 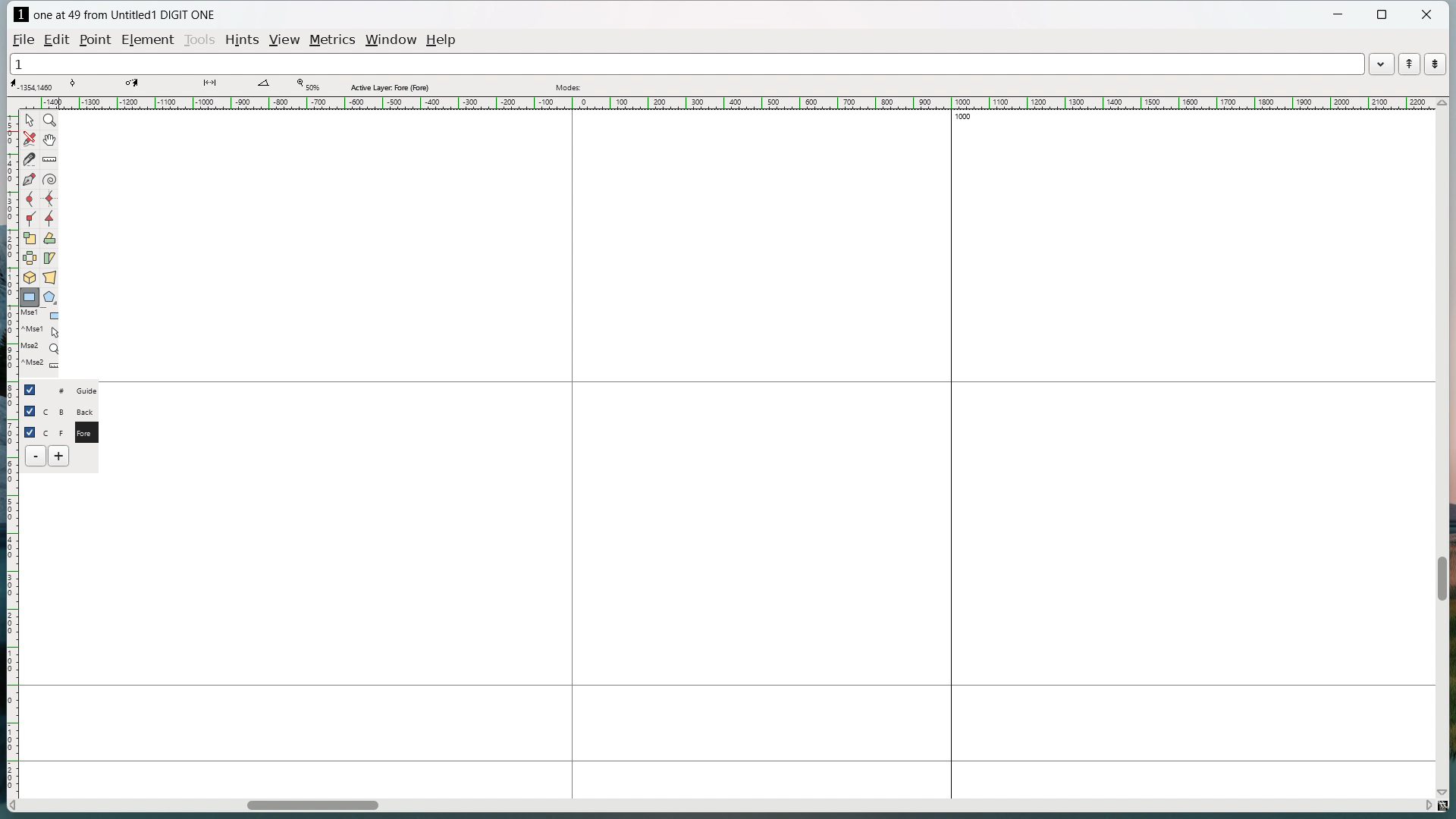 What do you see at coordinates (30, 277) in the screenshot?
I see `rotate selection in 3d and project back to the place` at bounding box center [30, 277].